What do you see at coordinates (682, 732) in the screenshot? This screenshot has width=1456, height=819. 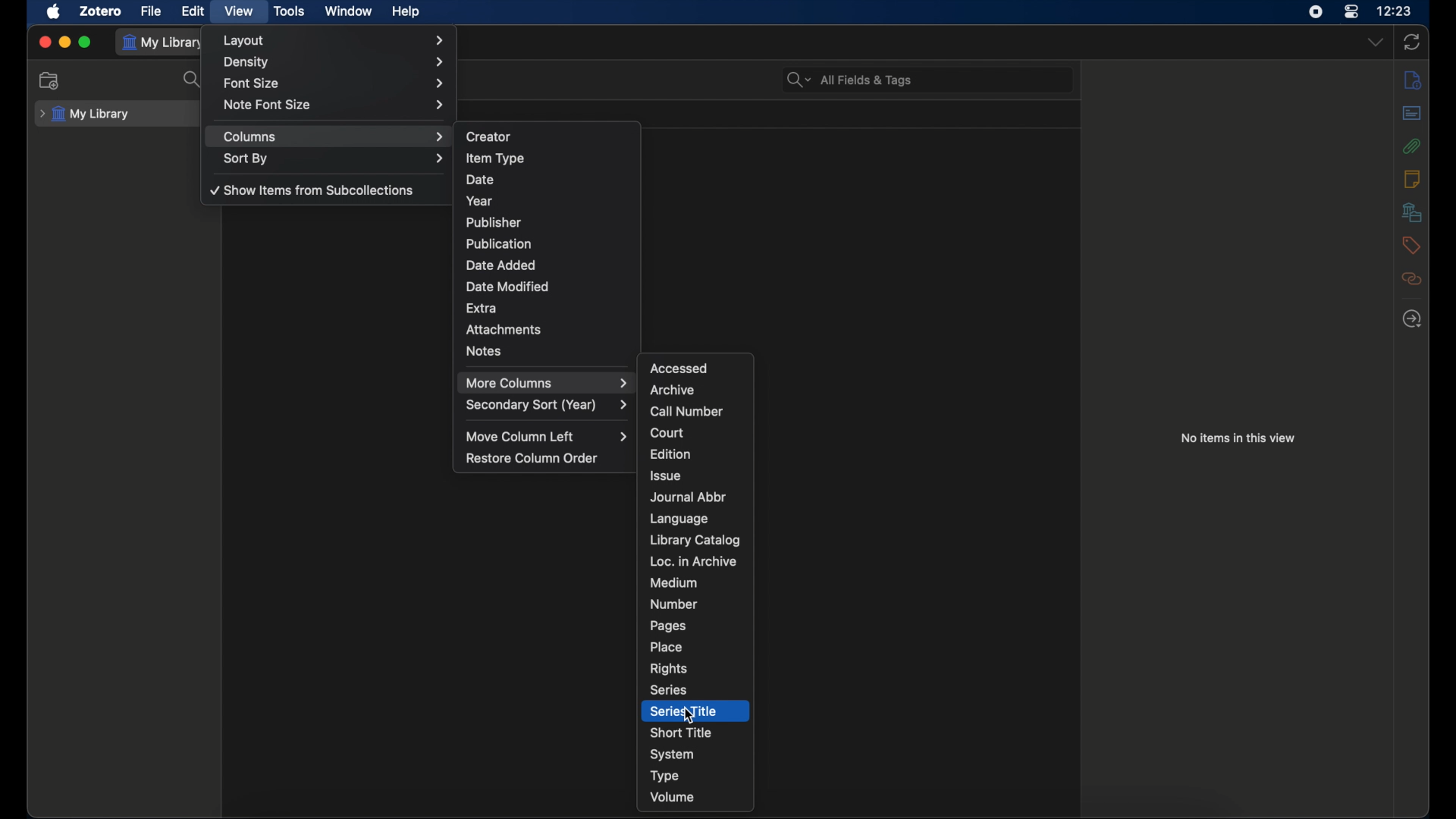 I see `short title` at bounding box center [682, 732].